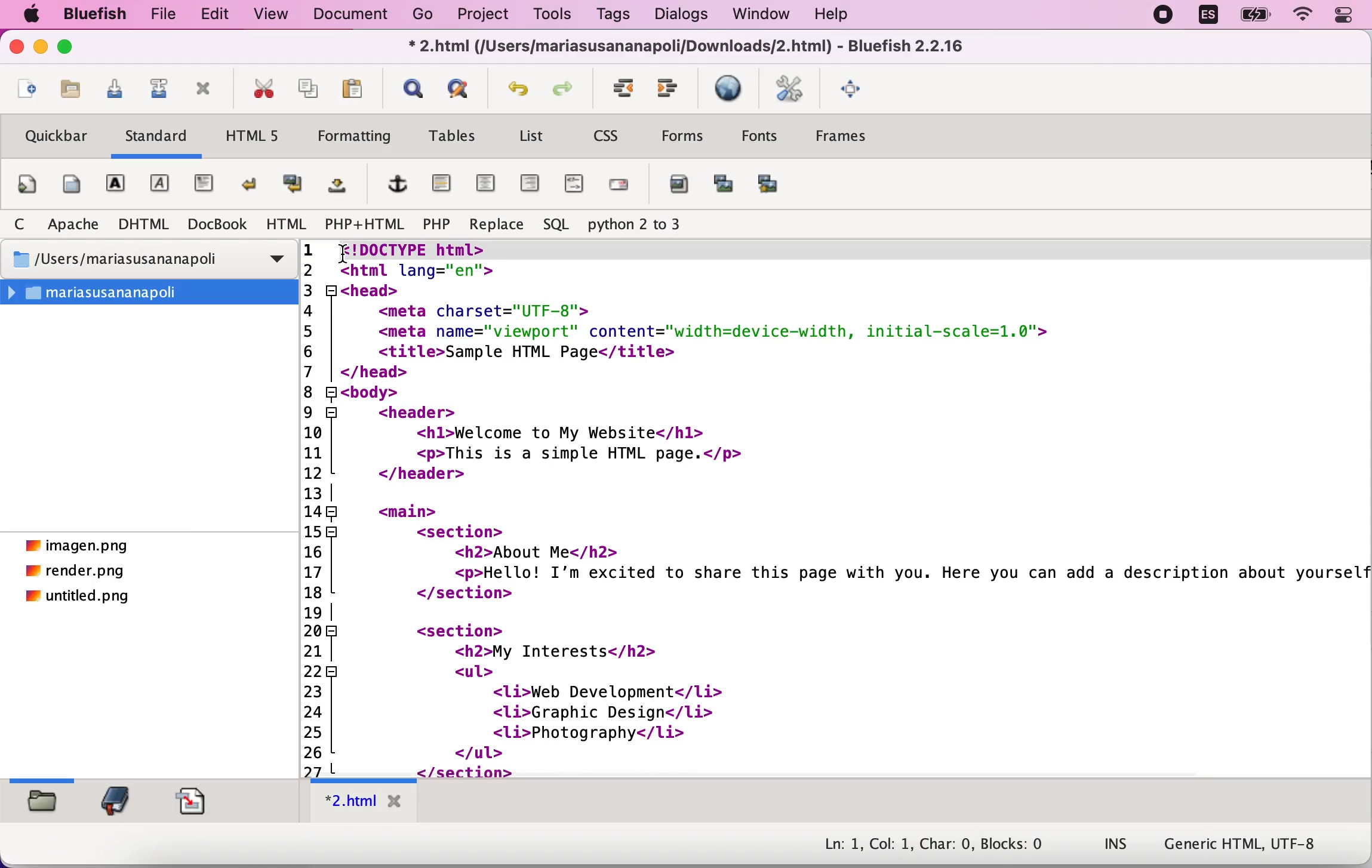 This screenshot has height=868, width=1372. What do you see at coordinates (857, 95) in the screenshot?
I see `full screen` at bounding box center [857, 95].